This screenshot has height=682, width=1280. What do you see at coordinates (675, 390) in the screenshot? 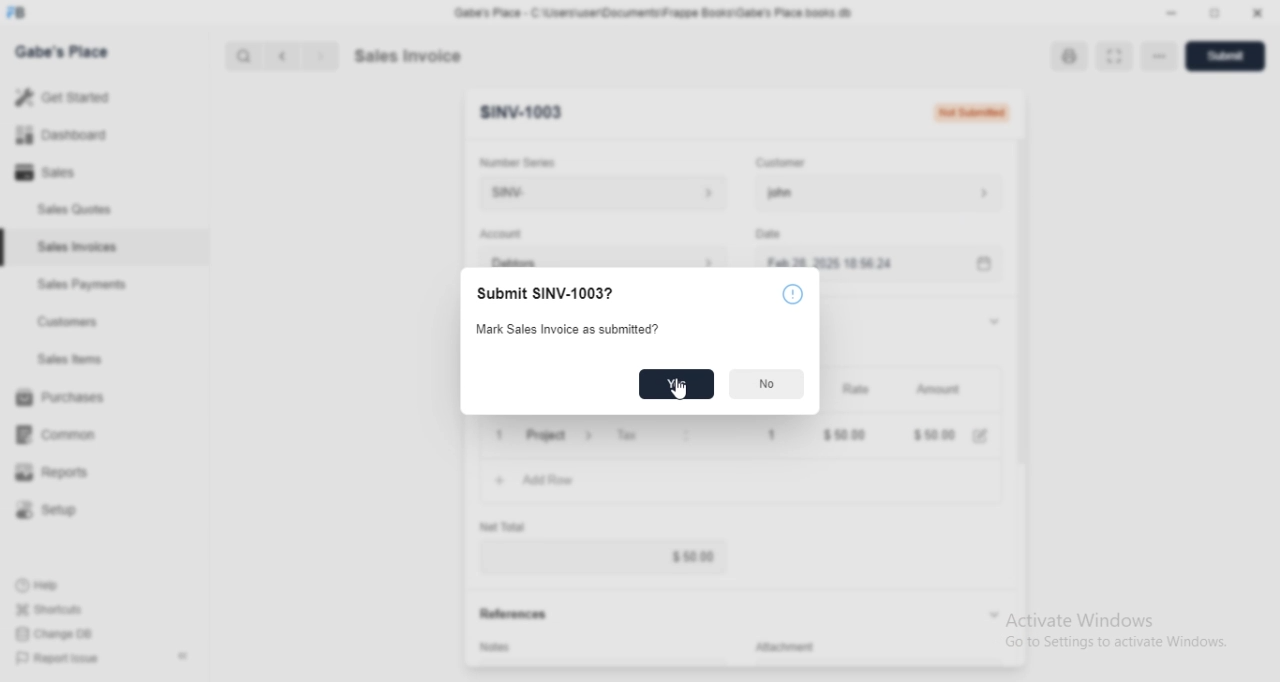
I see `cursor` at bounding box center [675, 390].